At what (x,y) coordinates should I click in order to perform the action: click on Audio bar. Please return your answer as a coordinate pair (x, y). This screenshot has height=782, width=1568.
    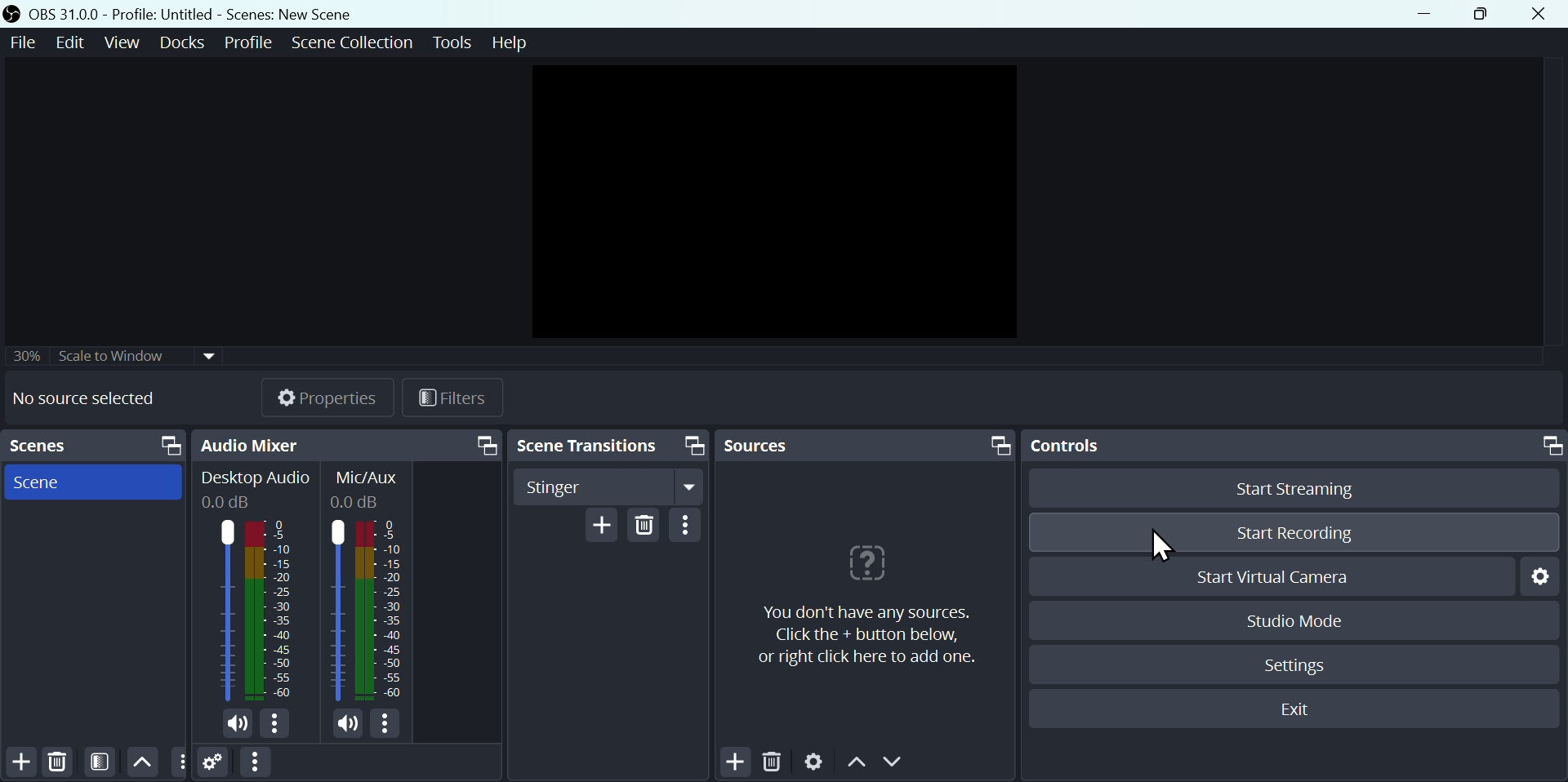
    Looking at the image, I should click on (250, 587).